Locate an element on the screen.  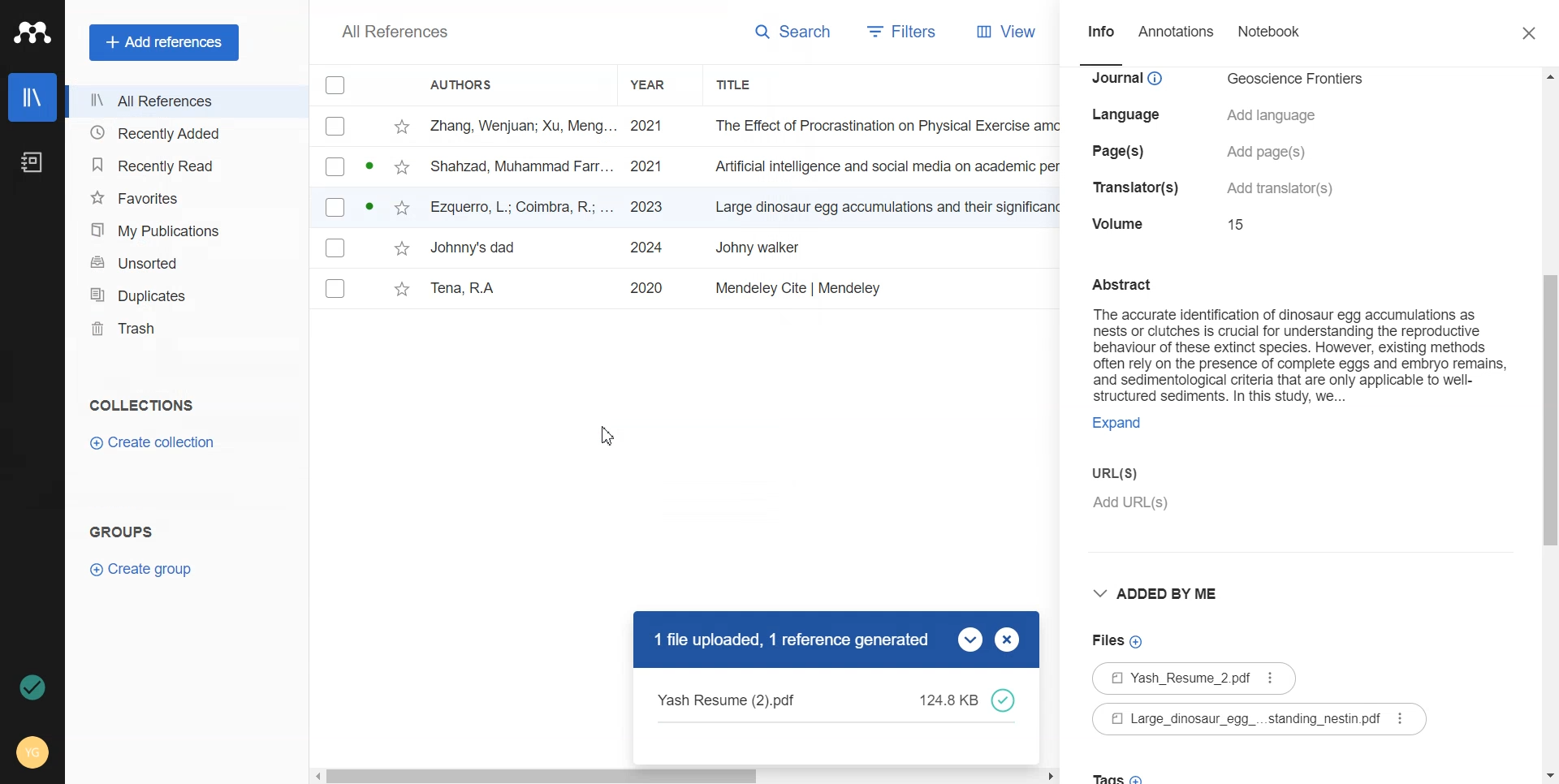
Favorites is located at coordinates (184, 198).